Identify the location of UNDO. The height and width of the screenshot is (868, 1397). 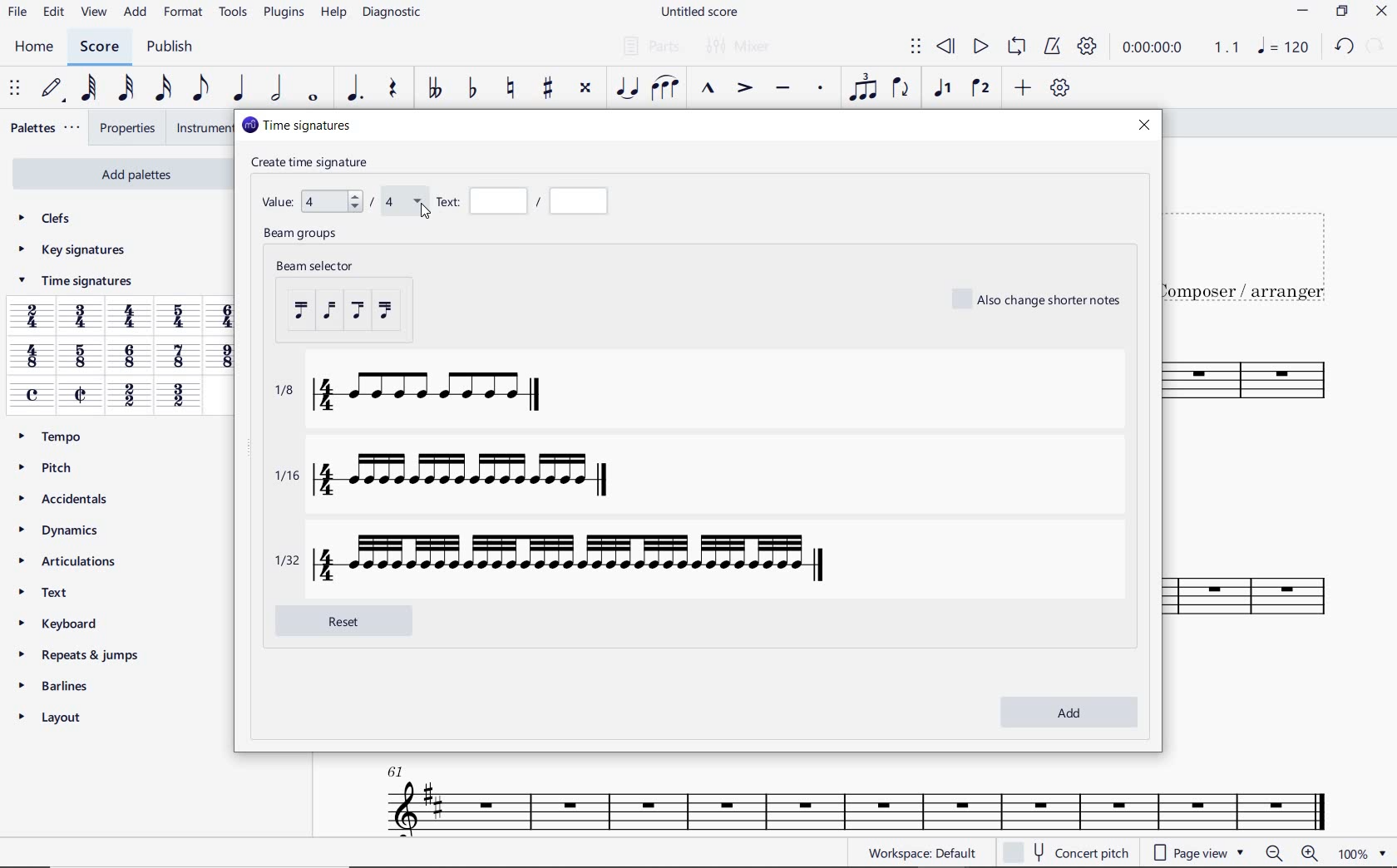
(1342, 45).